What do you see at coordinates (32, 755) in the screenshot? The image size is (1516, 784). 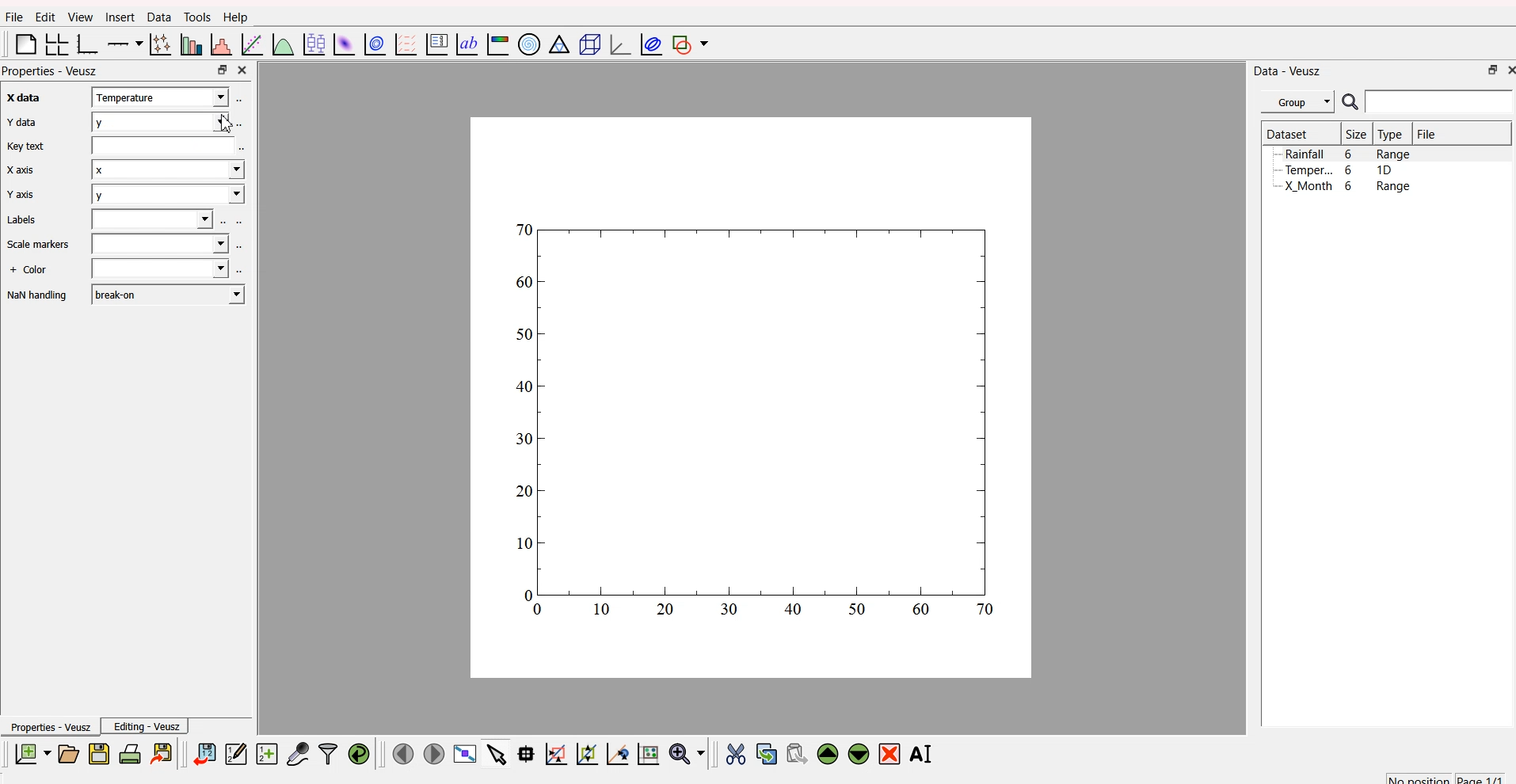 I see `new document` at bounding box center [32, 755].